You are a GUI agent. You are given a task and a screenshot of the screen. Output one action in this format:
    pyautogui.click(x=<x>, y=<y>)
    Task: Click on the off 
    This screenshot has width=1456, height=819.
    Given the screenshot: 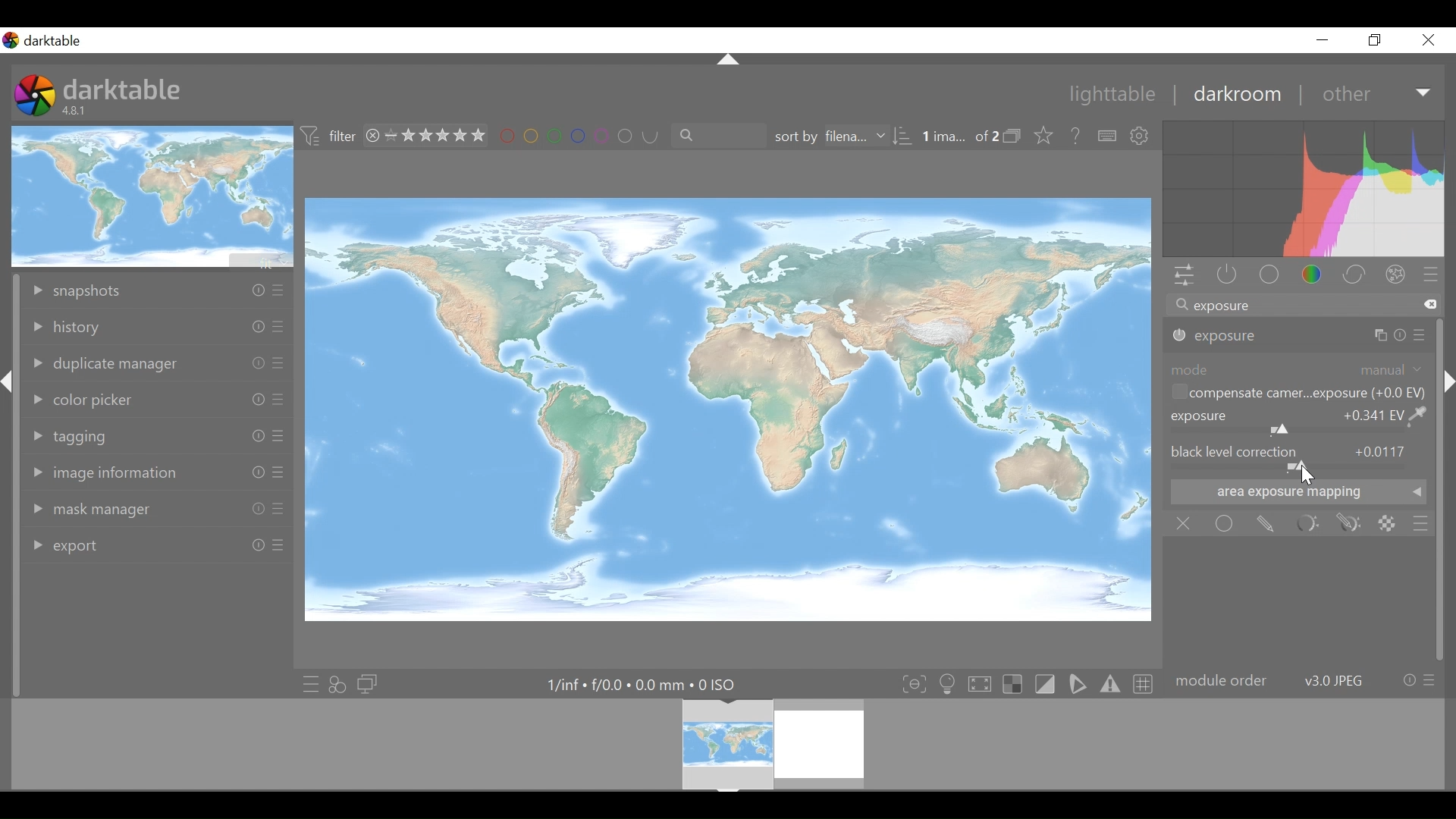 What is the action you would take?
    pyautogui.click(x=1185, y=523)
    